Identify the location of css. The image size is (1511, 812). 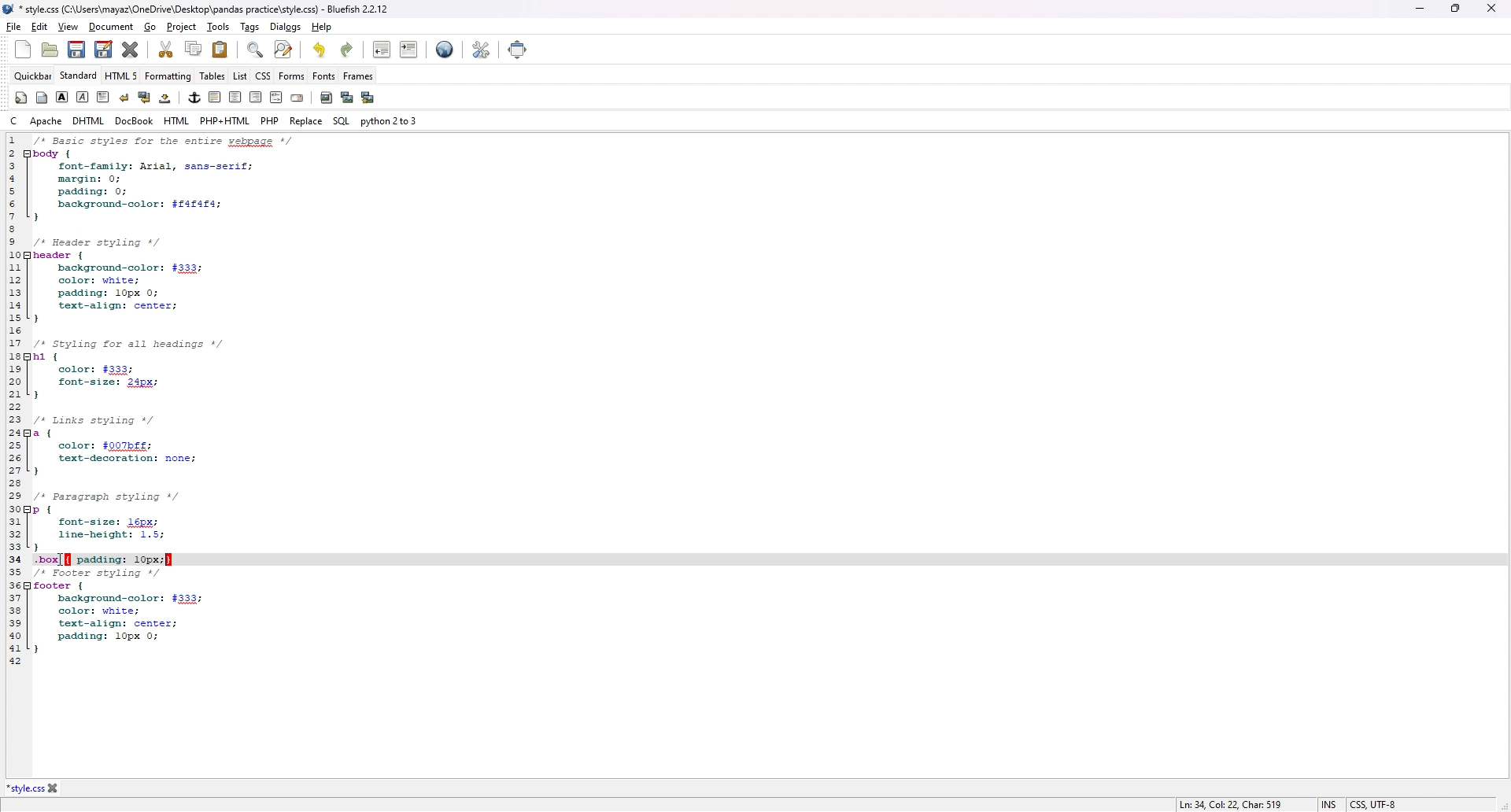
(264, 76).